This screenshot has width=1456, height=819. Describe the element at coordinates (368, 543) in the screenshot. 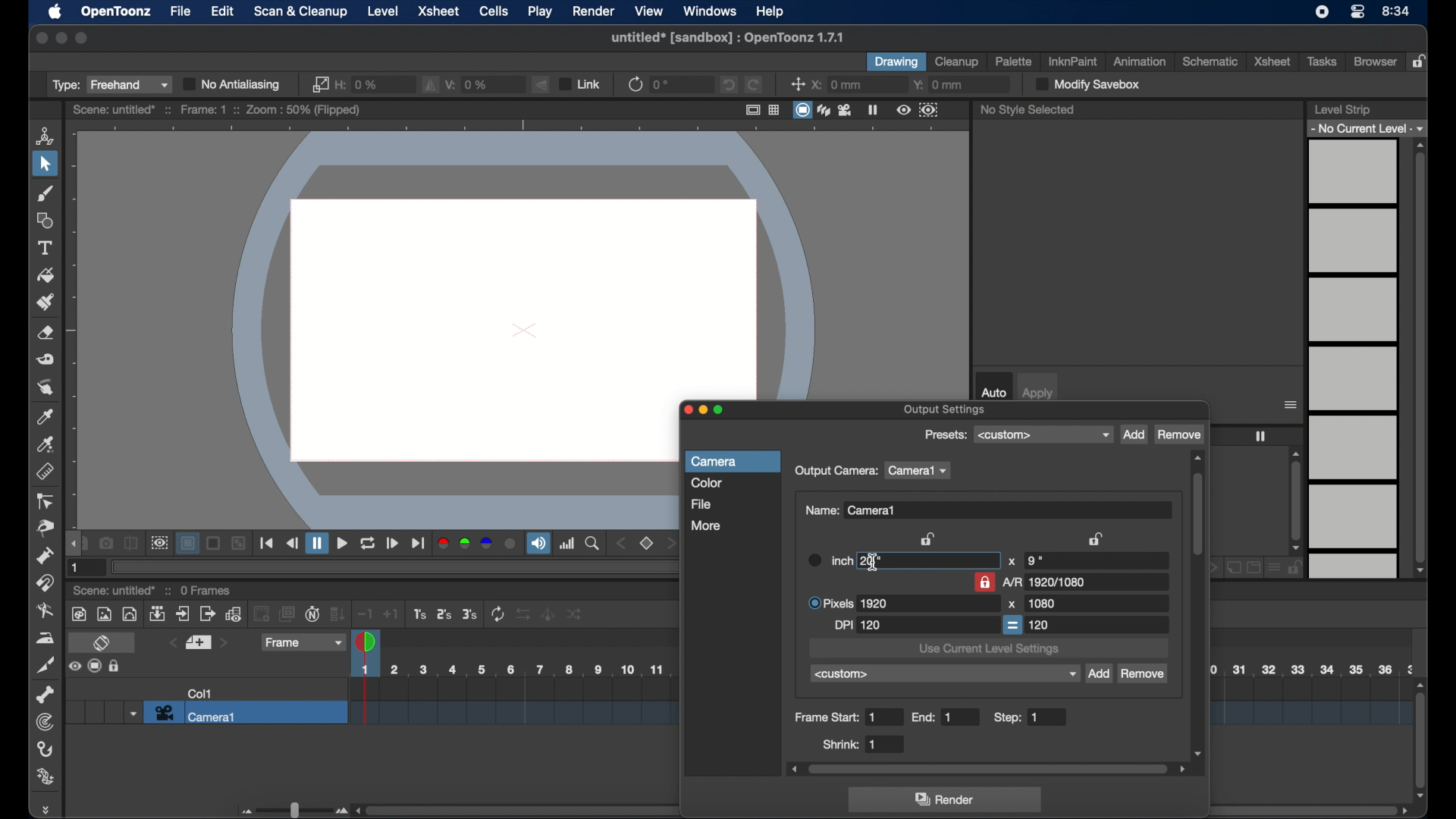

I see `` at that location.